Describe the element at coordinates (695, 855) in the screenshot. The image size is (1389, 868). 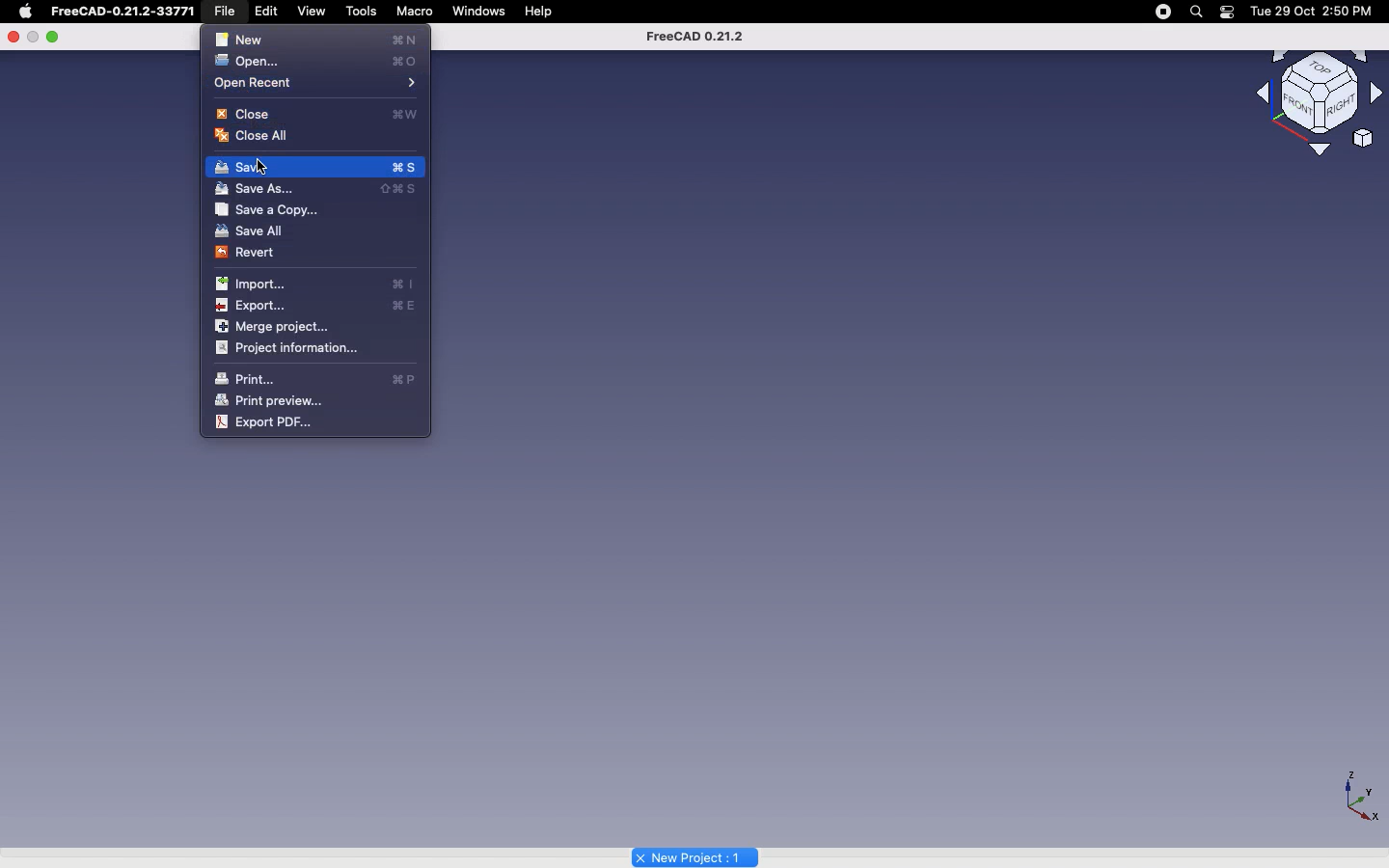
I see `Project name` at that location.